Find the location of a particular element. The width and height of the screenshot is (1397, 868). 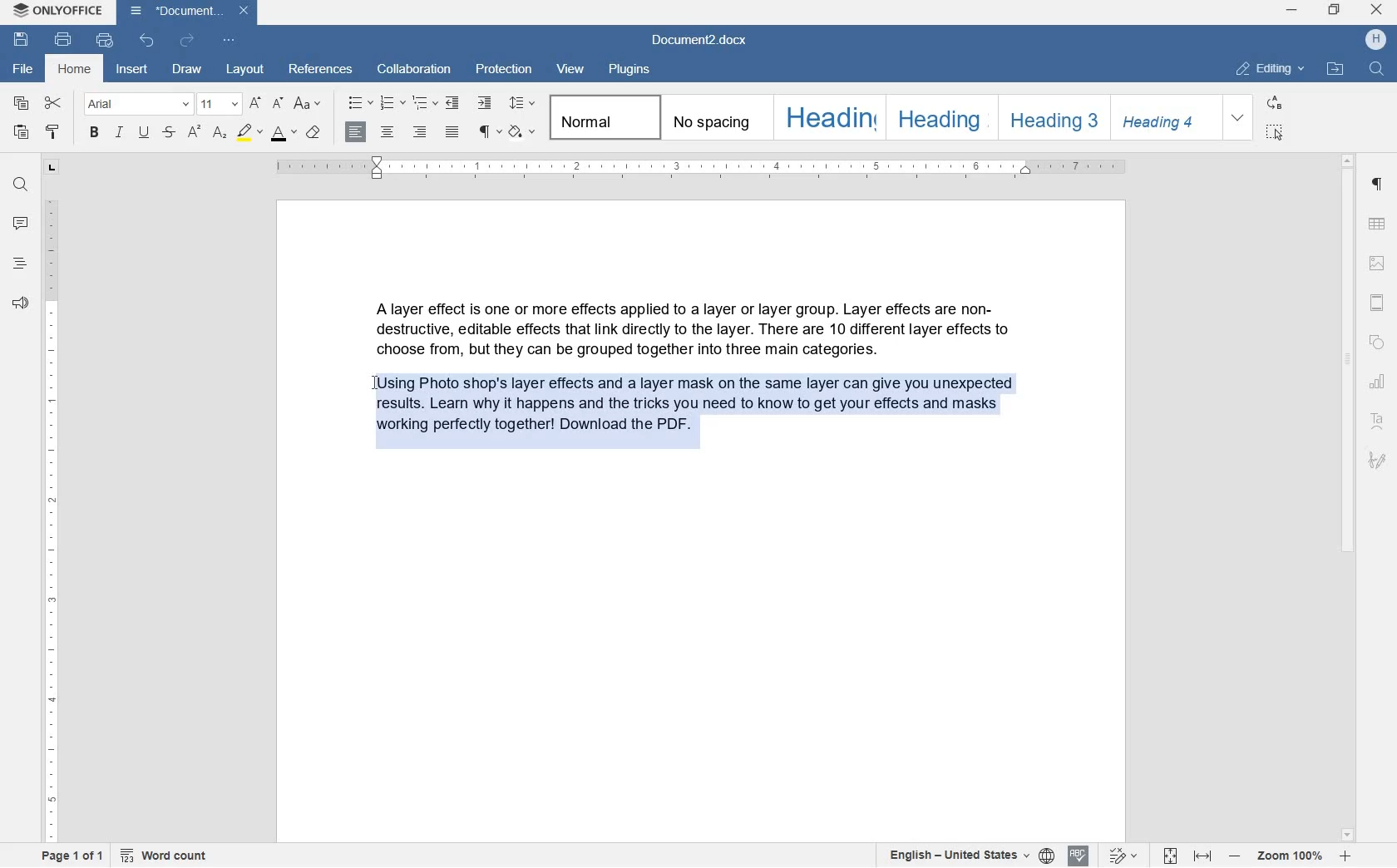

CHART is located at coordinates (1377, 382).